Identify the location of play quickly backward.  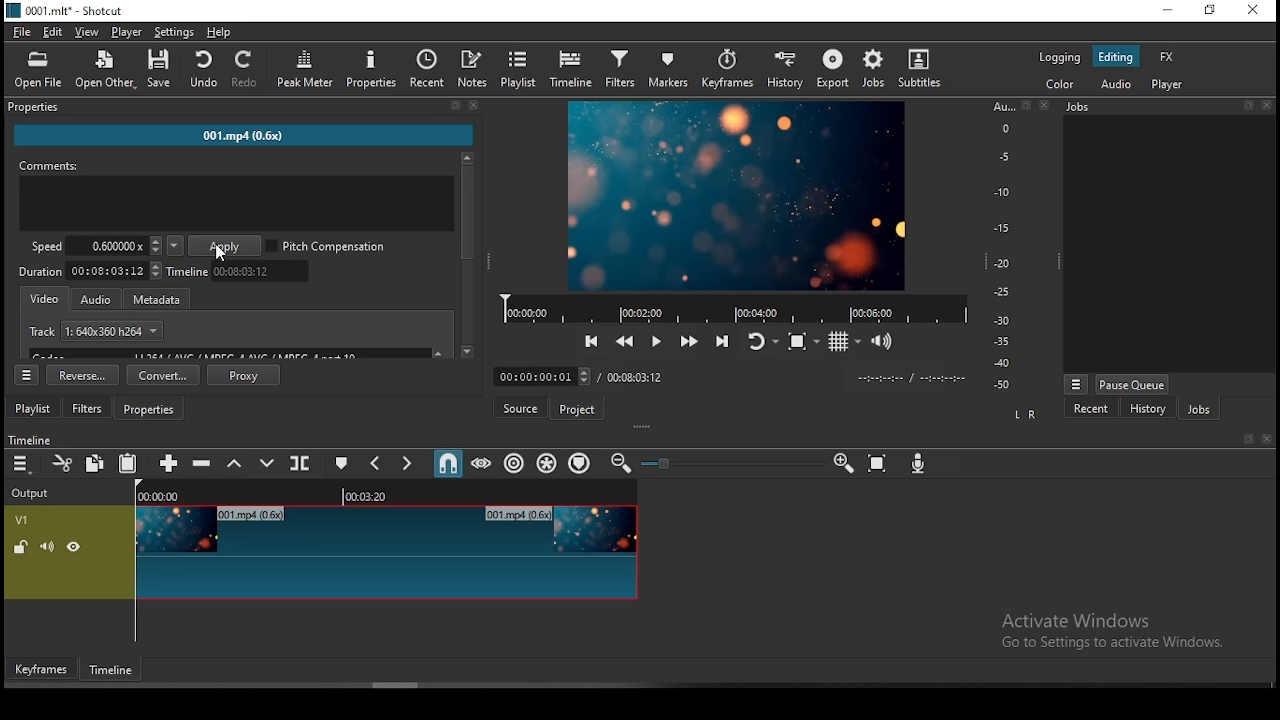
(627, 339).